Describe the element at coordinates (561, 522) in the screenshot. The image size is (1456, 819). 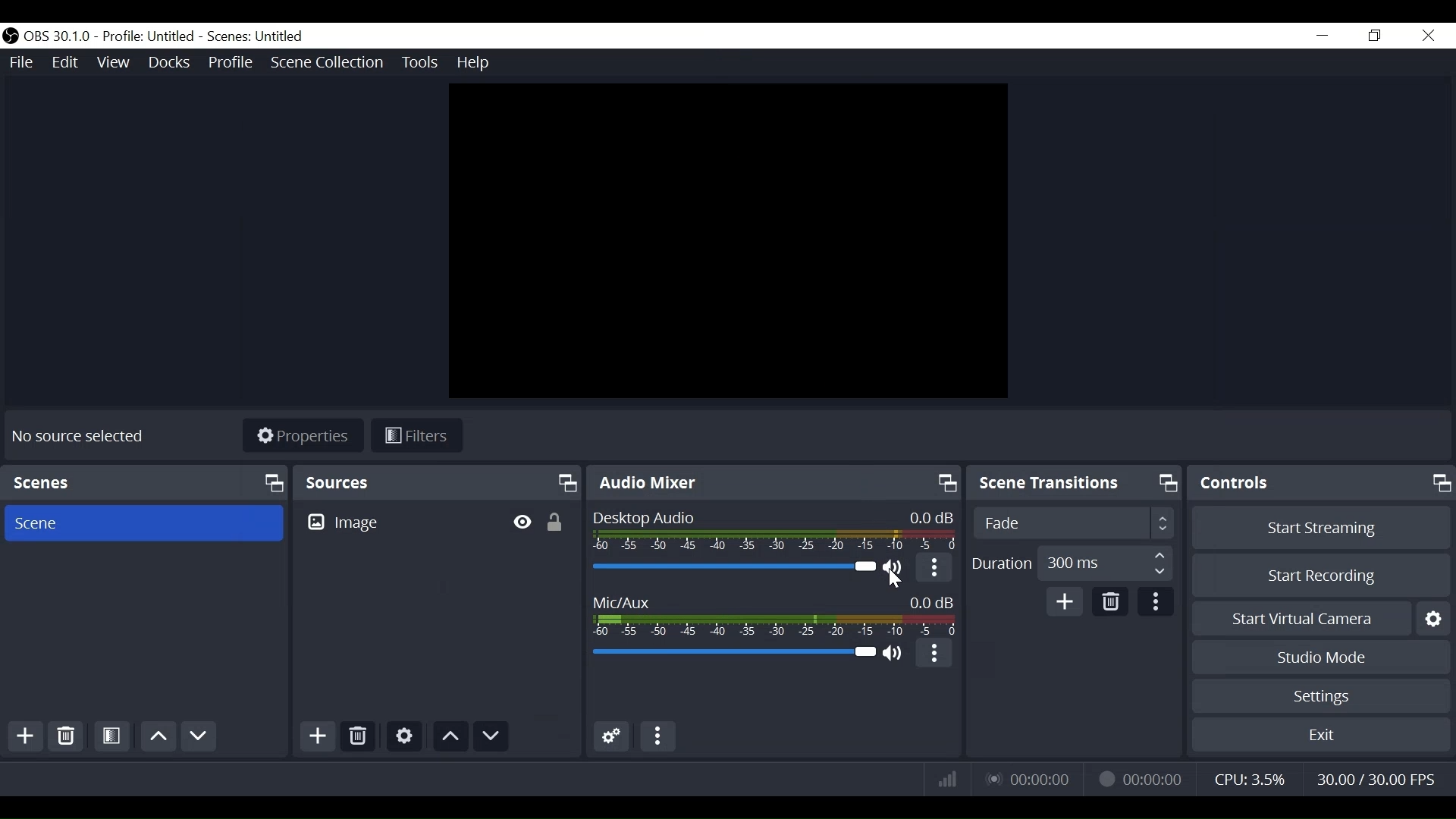
I see `(un)lock` at that location.